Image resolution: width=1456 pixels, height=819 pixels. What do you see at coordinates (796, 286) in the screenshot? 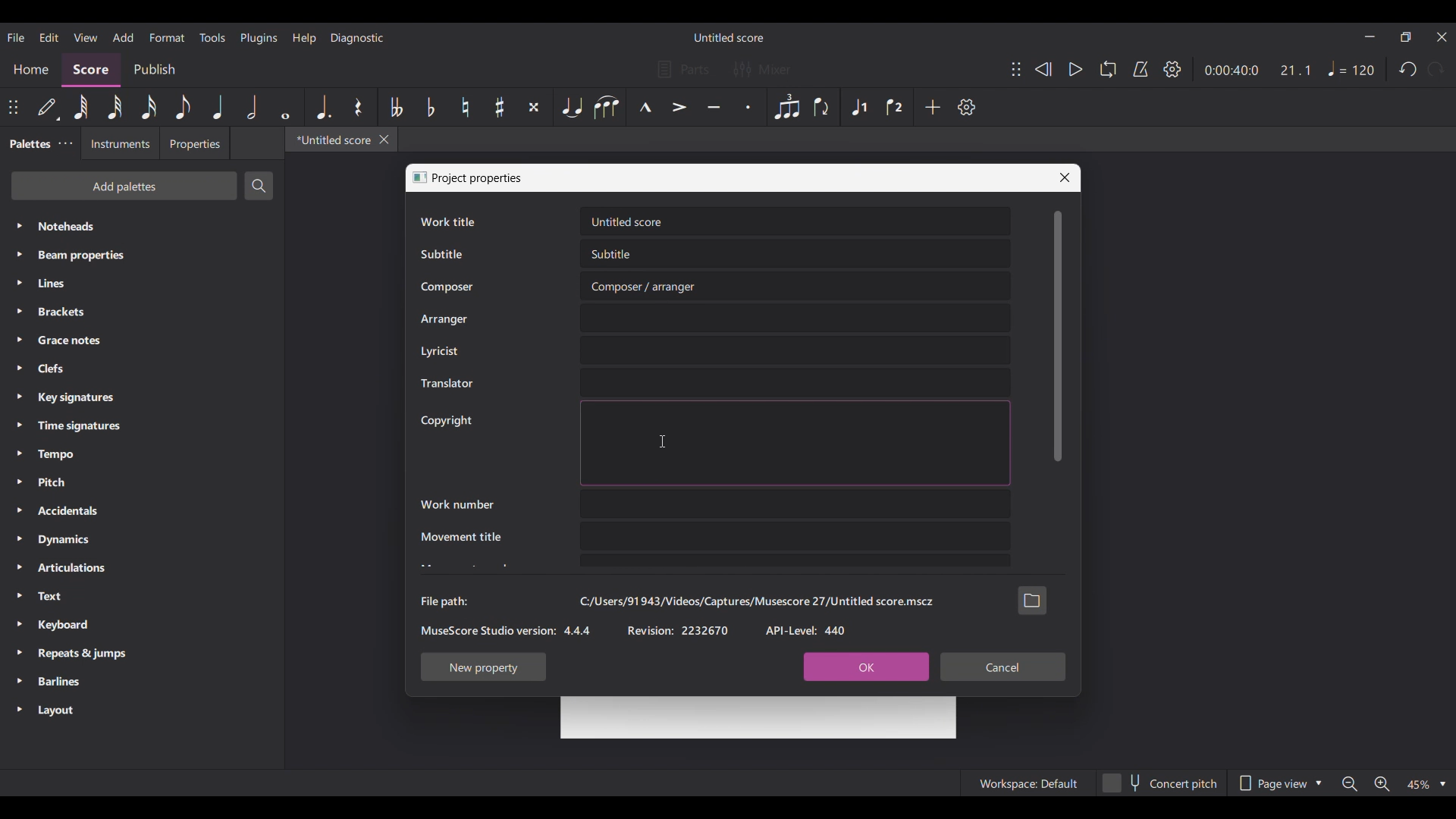
I see `Text box for Composer` at bounding box center [796, 286].